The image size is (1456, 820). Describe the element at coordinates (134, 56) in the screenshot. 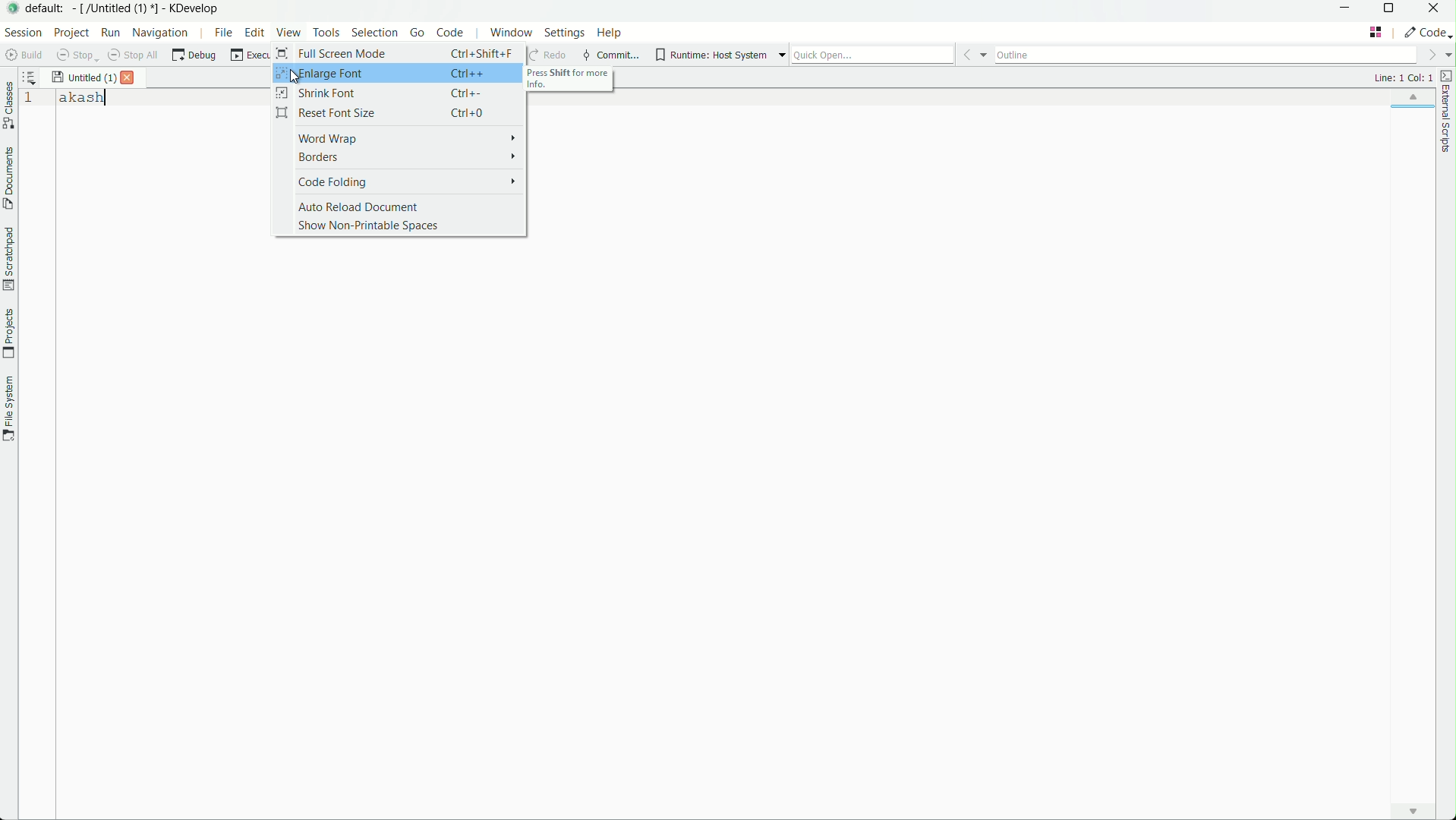

I see `stop all` at that location.